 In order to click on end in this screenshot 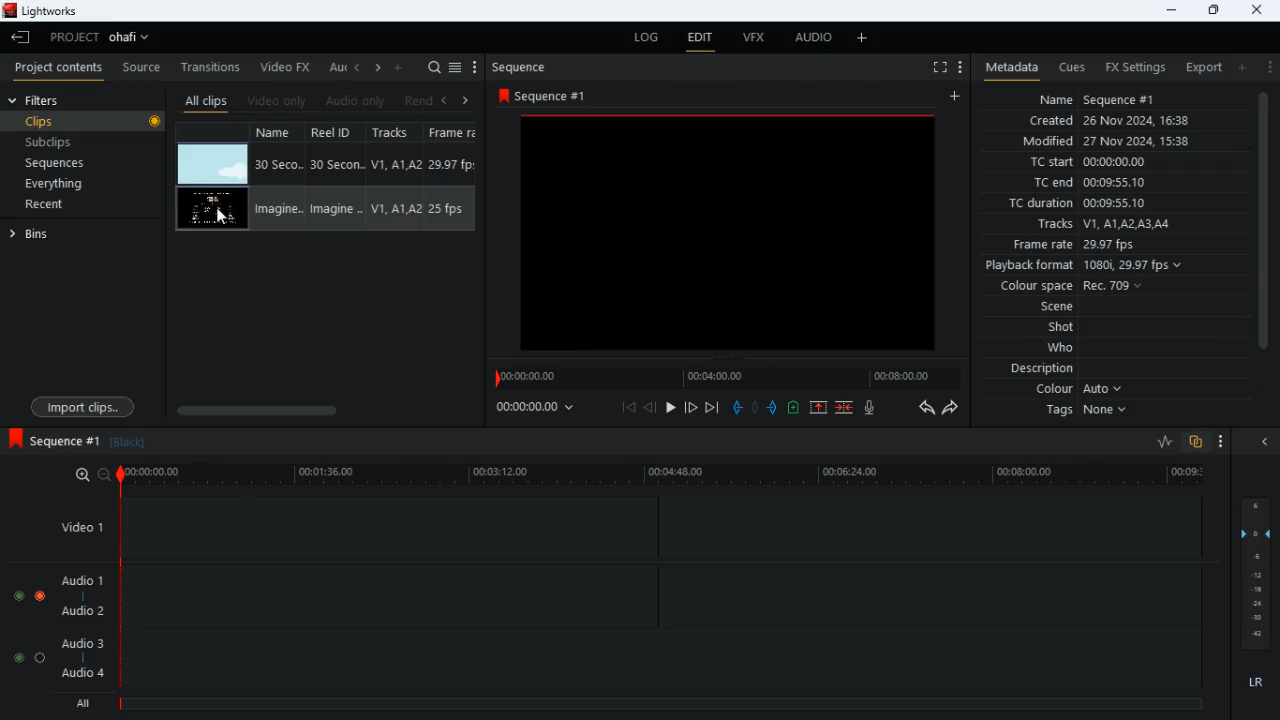, I will do `click(714, 407)`.